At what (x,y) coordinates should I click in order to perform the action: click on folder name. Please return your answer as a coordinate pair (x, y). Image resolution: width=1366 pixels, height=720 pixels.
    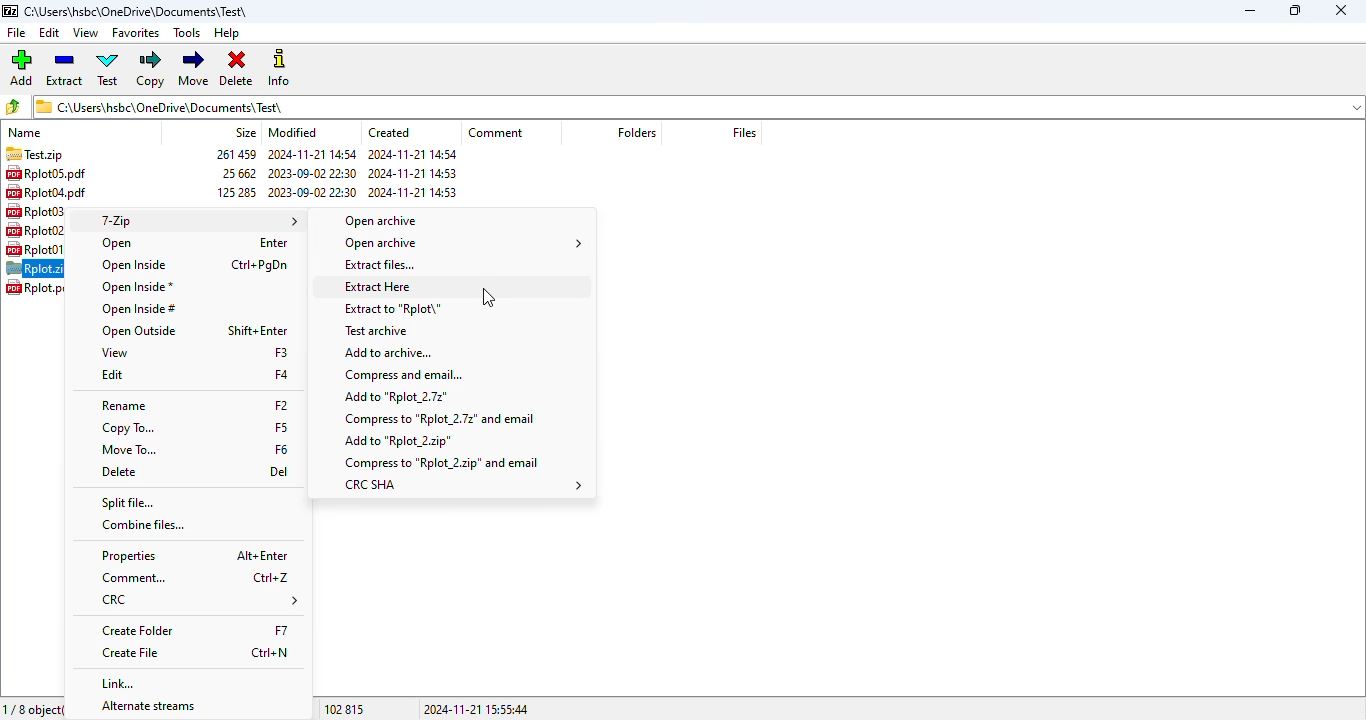
    Looking at the image, I should click on (139, 11).